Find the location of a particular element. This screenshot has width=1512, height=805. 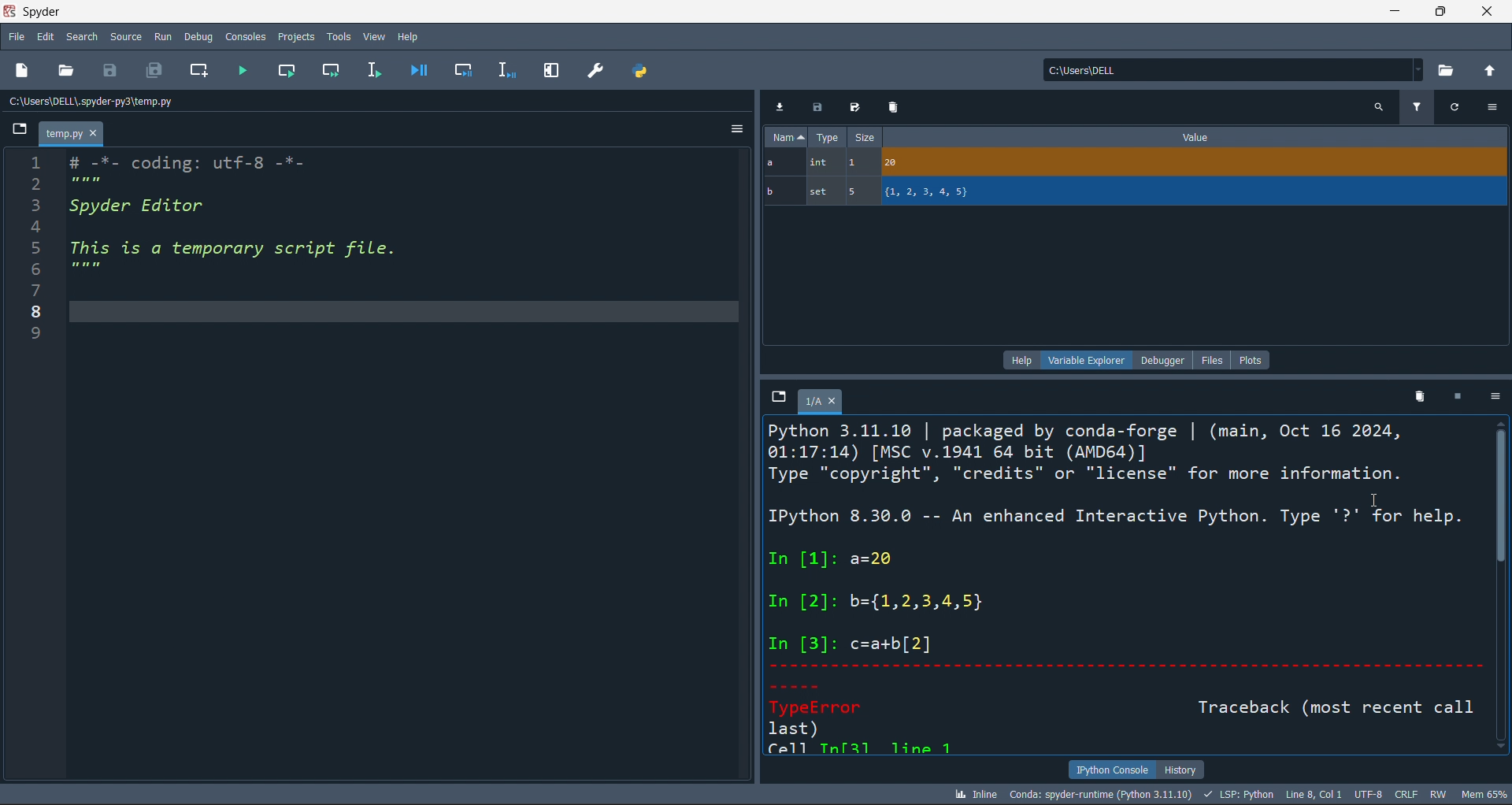

CRLF is located at coordinates (1407, 796).